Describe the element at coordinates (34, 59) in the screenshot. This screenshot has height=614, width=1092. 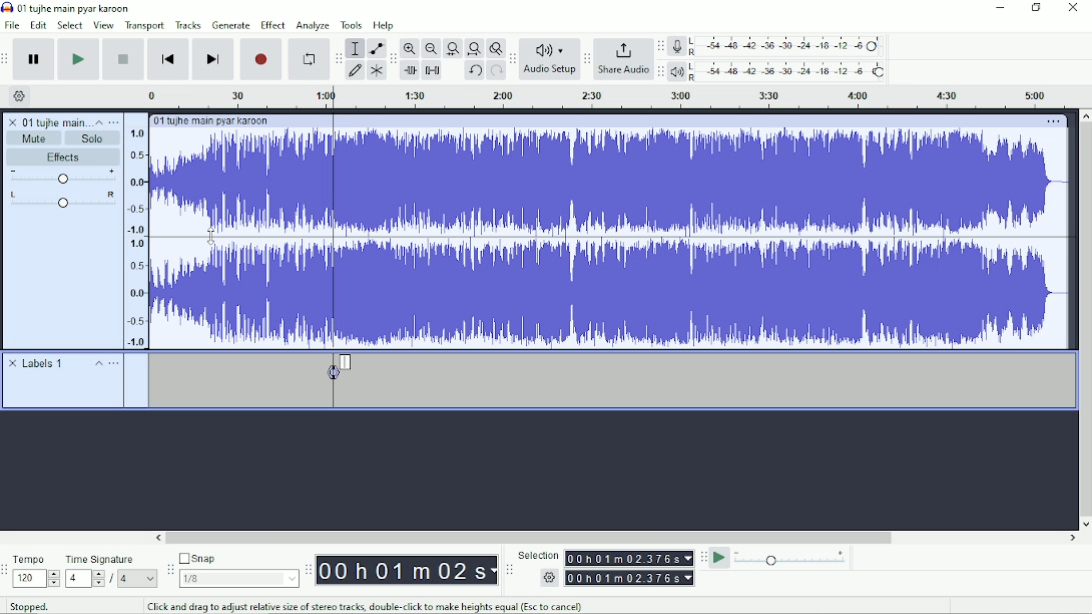
I see `Pause` at that location.